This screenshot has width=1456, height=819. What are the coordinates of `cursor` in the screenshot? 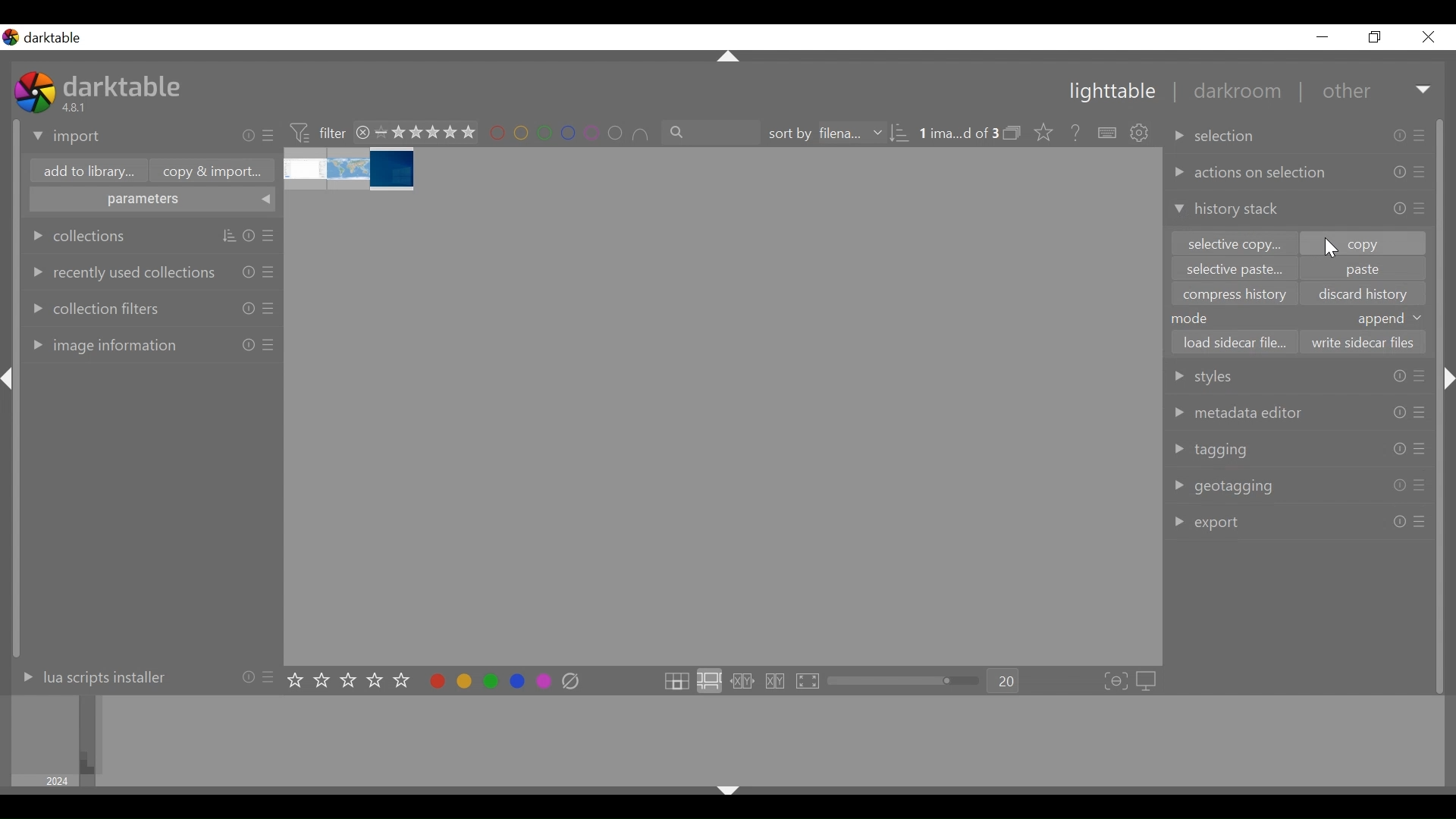 It's located at (1329, 247).